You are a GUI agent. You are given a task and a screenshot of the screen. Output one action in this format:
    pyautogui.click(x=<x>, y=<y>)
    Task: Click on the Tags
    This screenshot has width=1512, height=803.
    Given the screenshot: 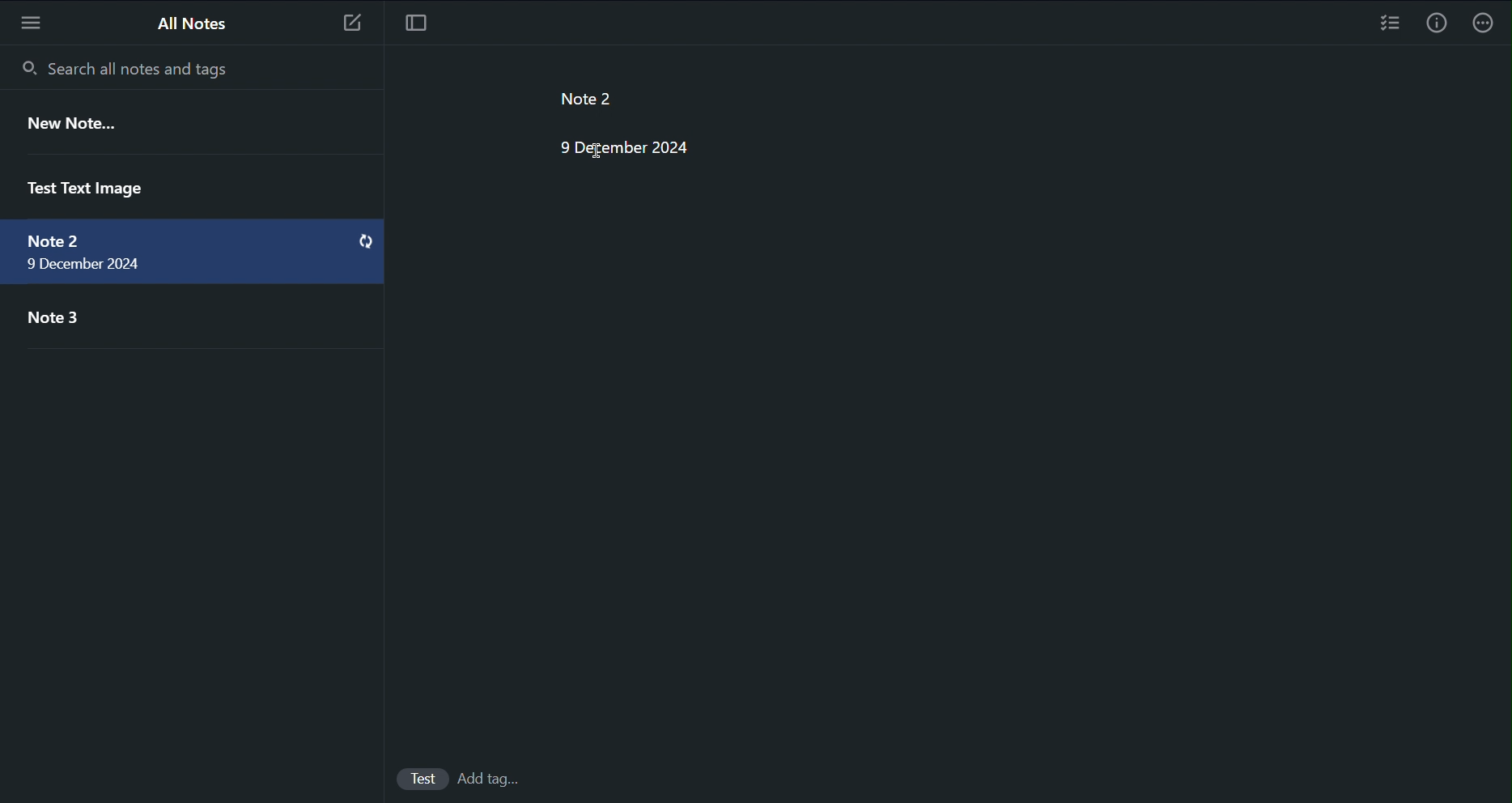 What is the action you would take?
    pyautogui.click(x=499, y=779)
    